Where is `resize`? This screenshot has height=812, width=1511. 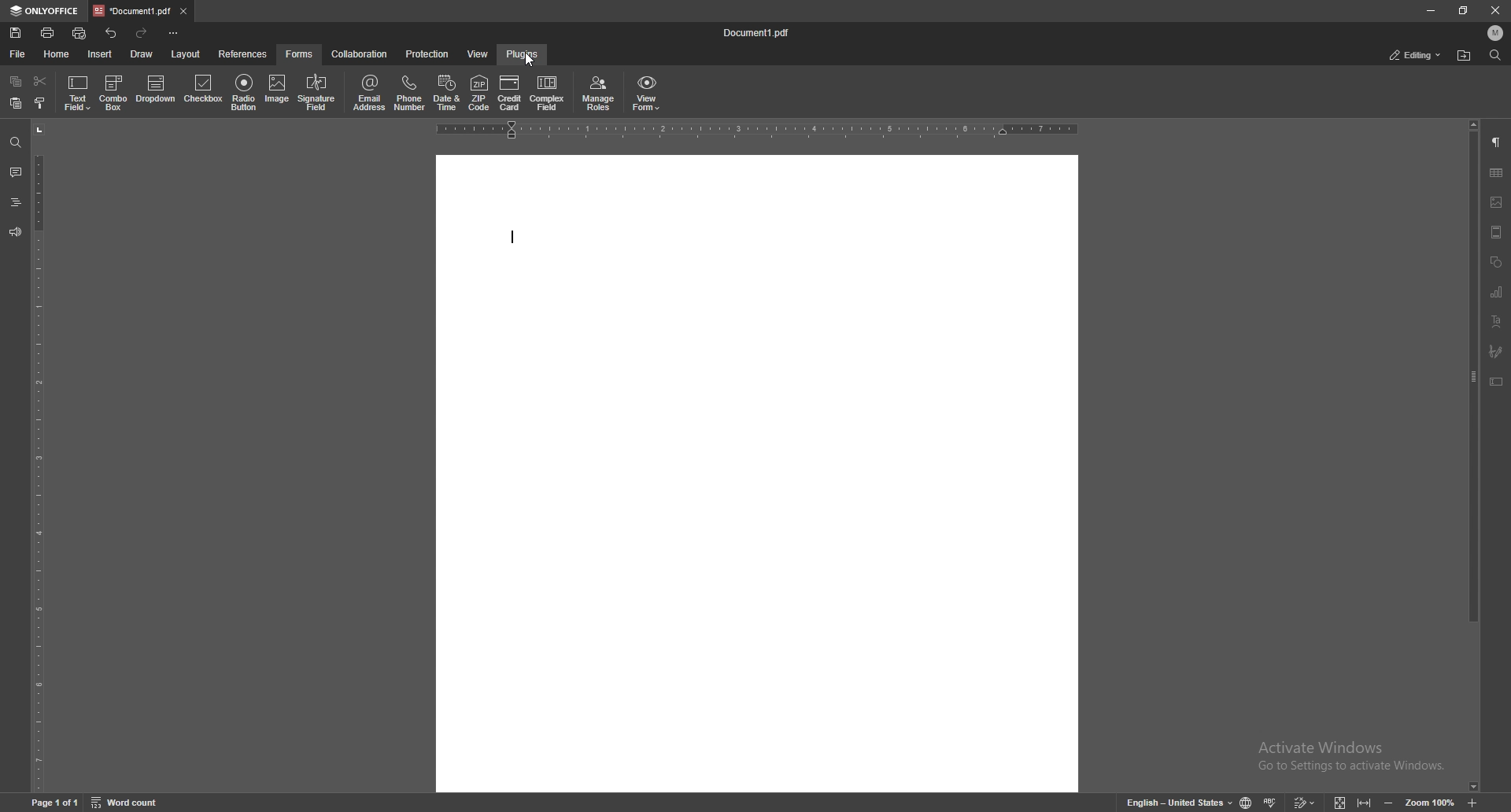
resize is located at coordinates (1463, 10).